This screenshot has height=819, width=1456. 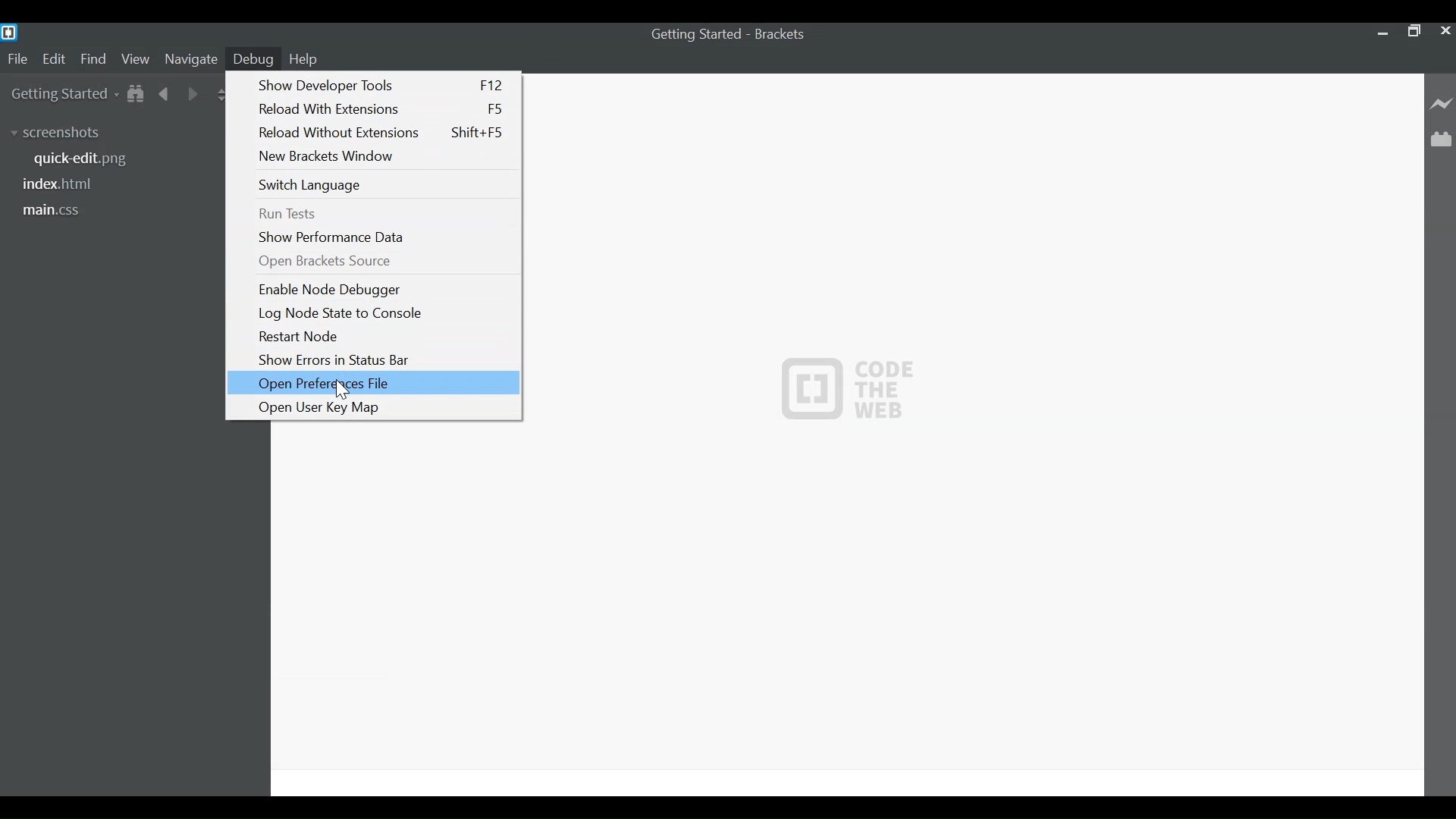 I want to click on Navigate Back, so click(x=165, y=94).